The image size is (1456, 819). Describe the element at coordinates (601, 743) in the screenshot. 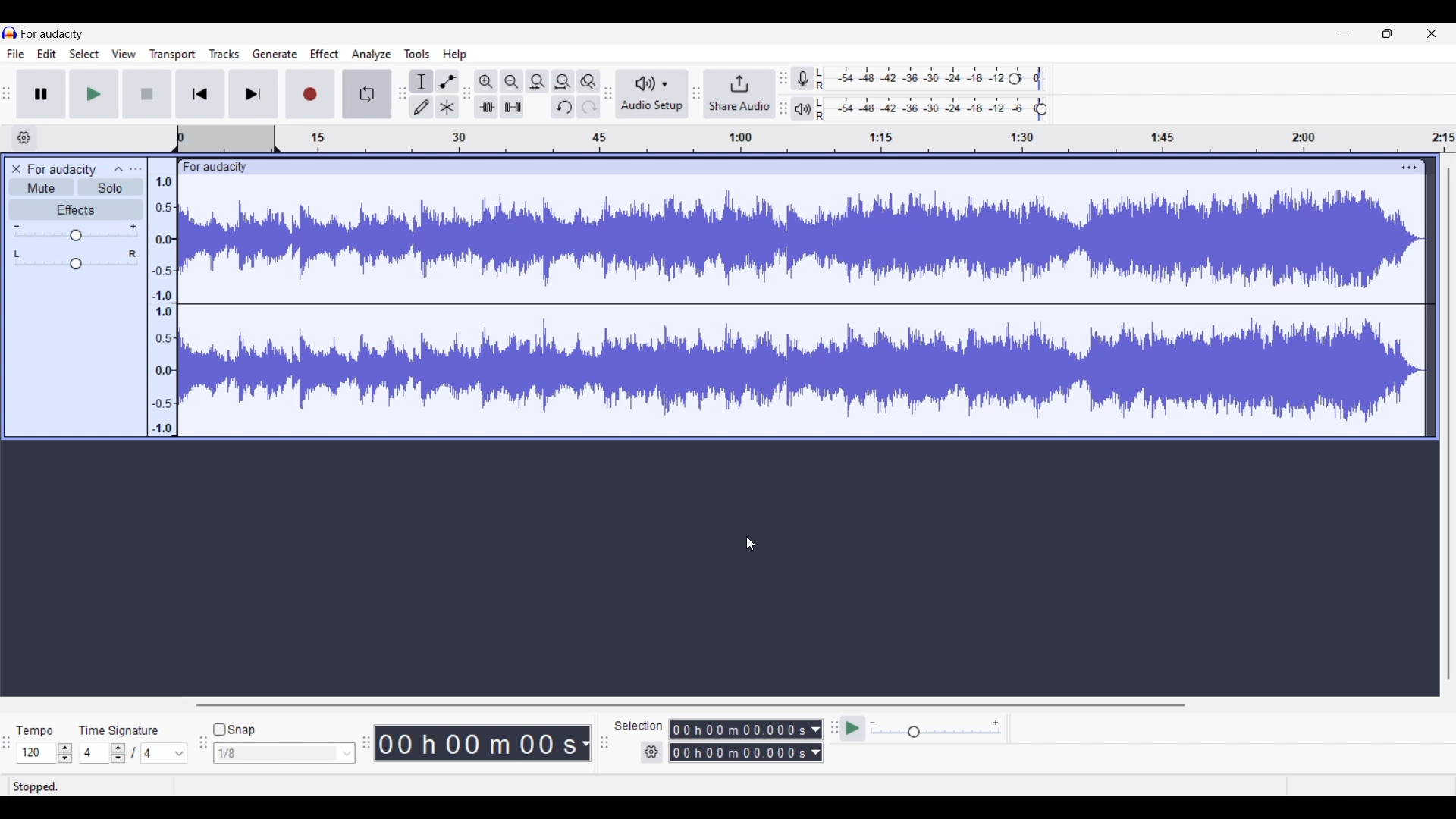

I see `selection toolbar` at that location.